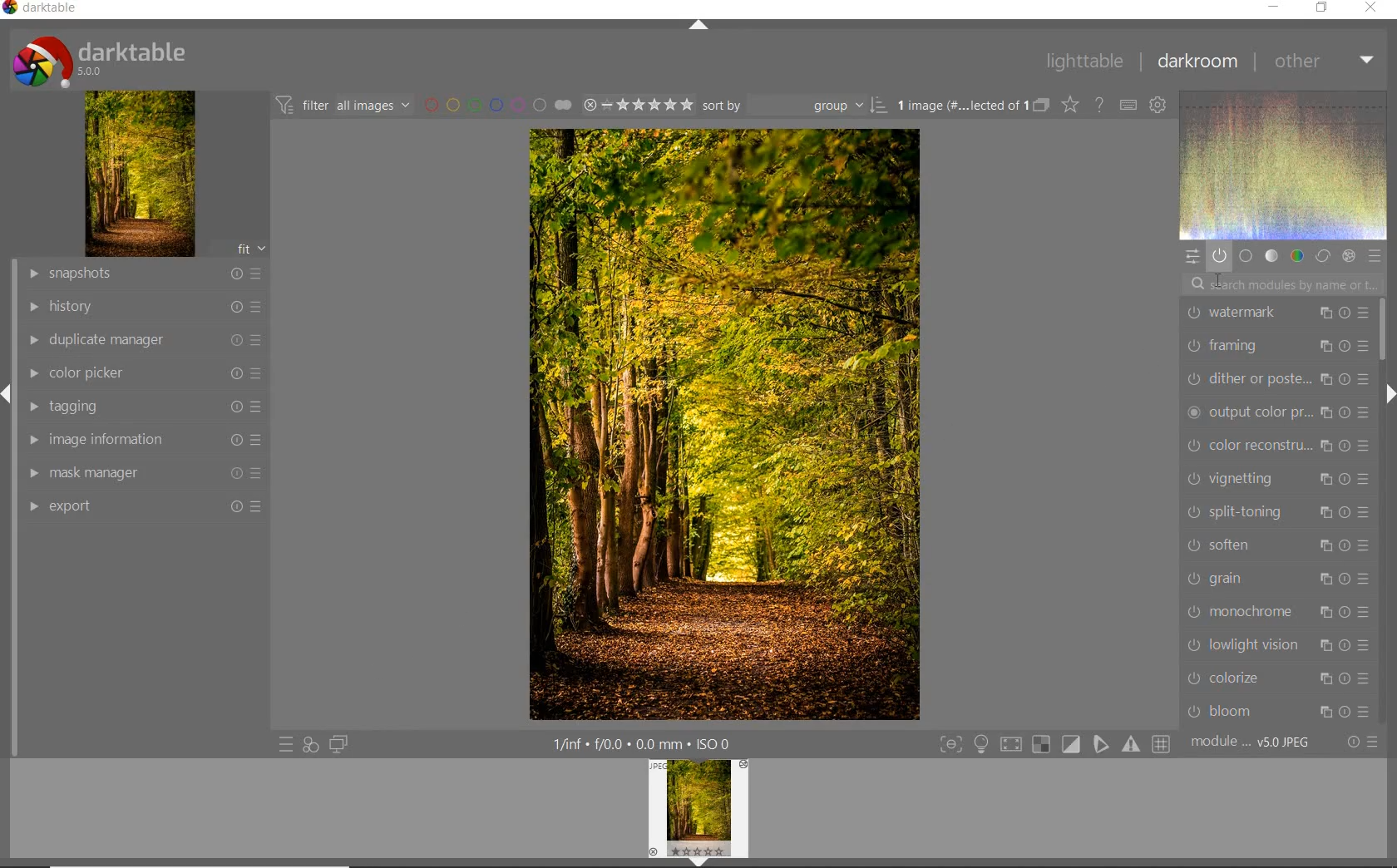 This screenshot has width=1397, height=868. I want to click on restore, so click(1320, 9).